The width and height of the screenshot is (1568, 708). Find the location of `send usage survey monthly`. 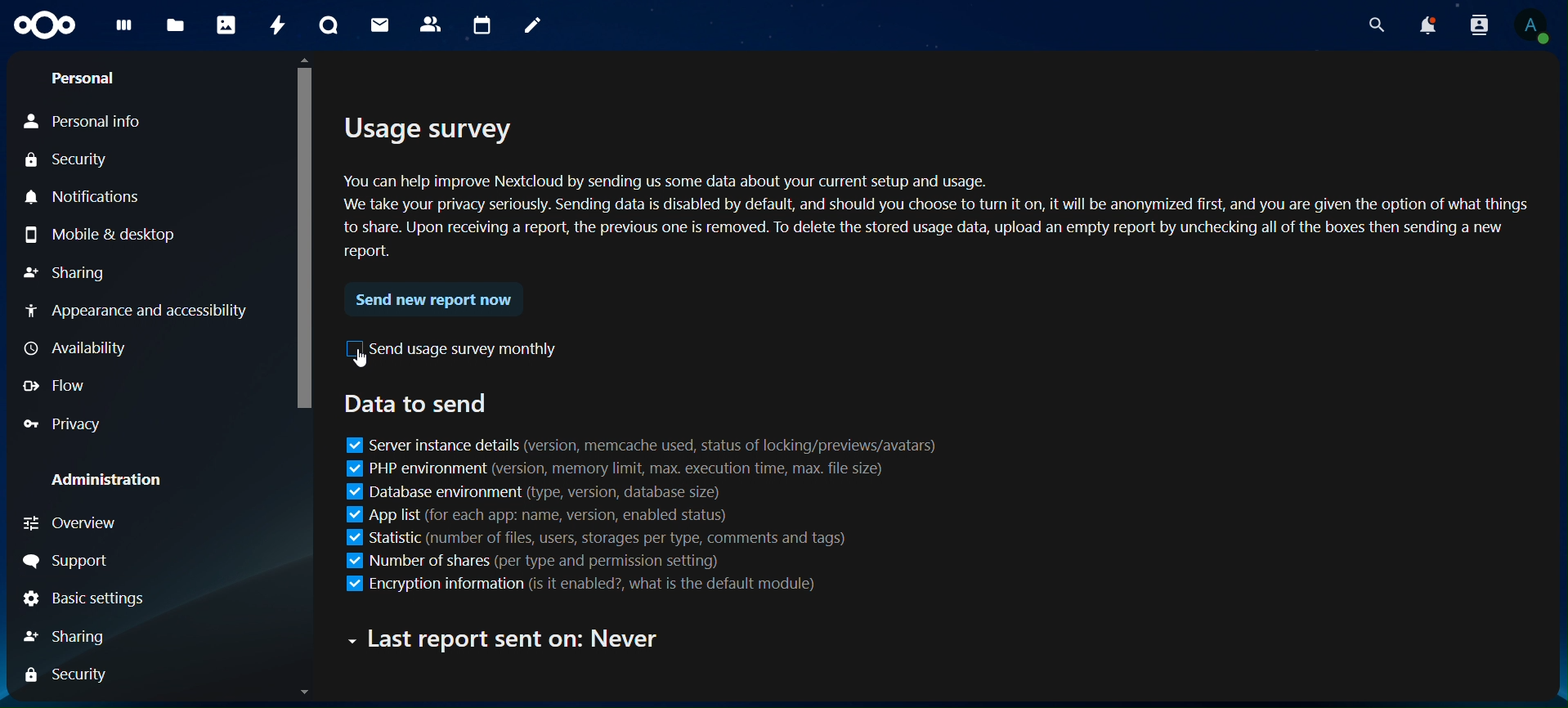

send usage survey monthly is located at coordinates (454, 348).